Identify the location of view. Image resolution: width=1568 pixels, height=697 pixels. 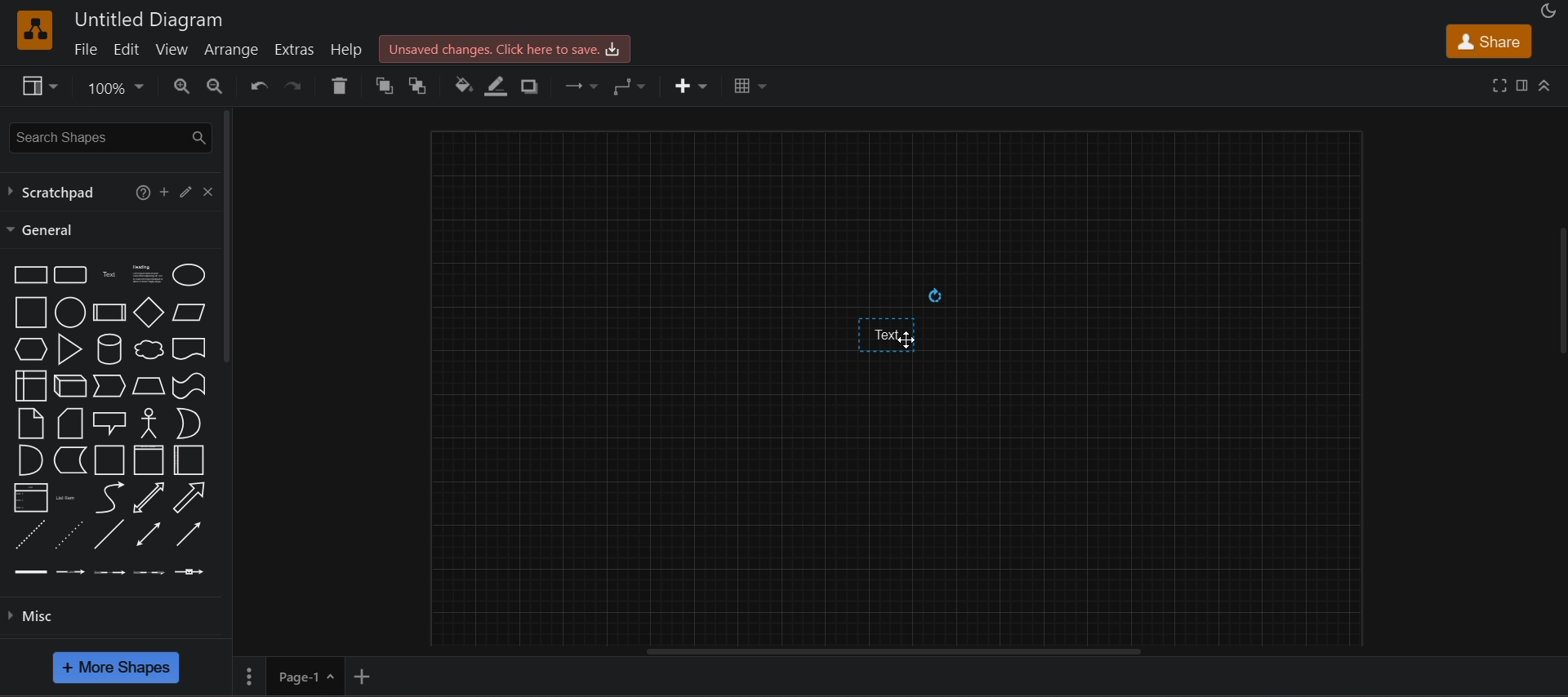
(38, 85).